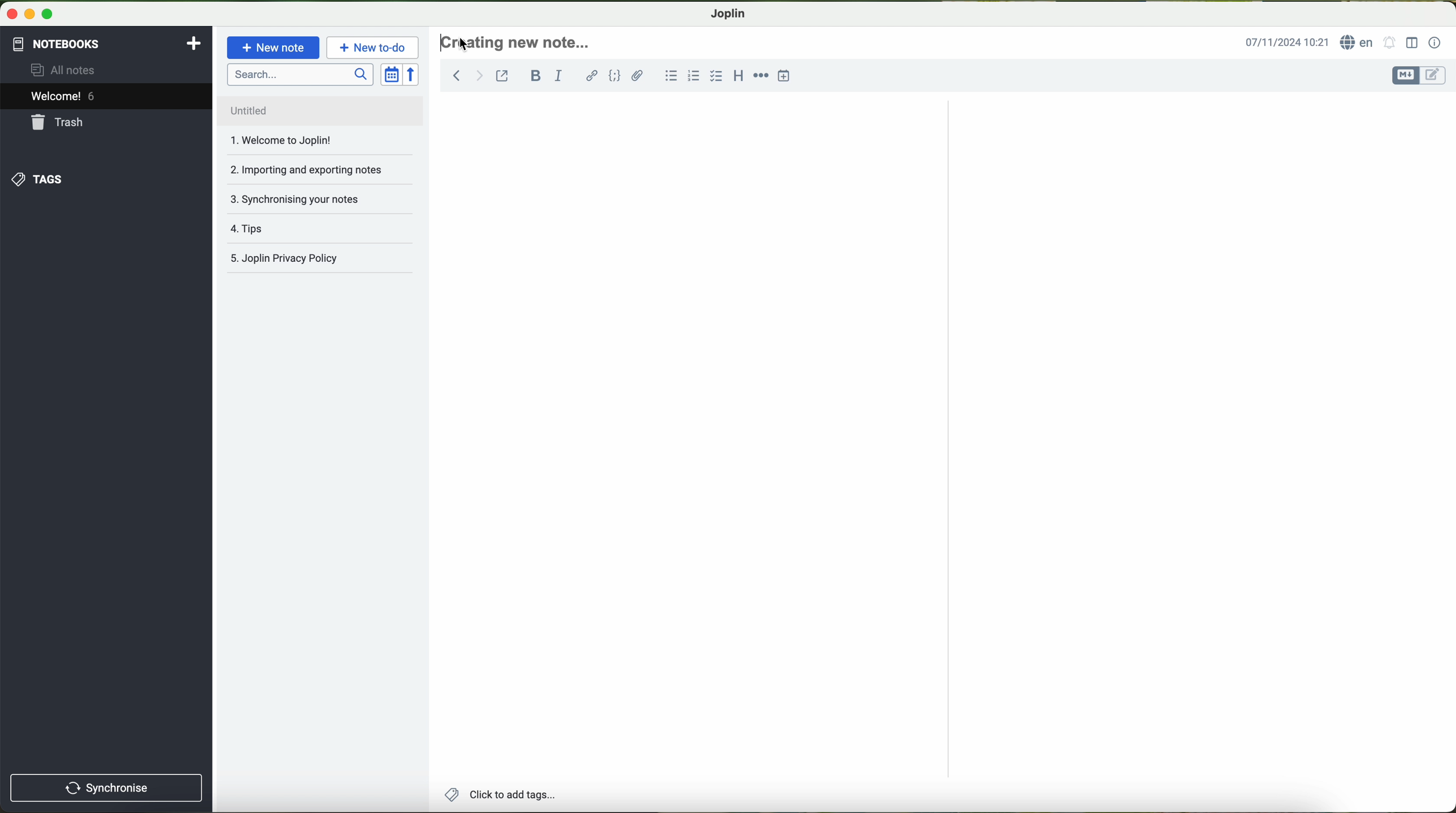 The width and height of the screenshot is (1456, 813). Describe the element at coordinates (695, 75) in the screenshot. I see `numbered list` at that location.